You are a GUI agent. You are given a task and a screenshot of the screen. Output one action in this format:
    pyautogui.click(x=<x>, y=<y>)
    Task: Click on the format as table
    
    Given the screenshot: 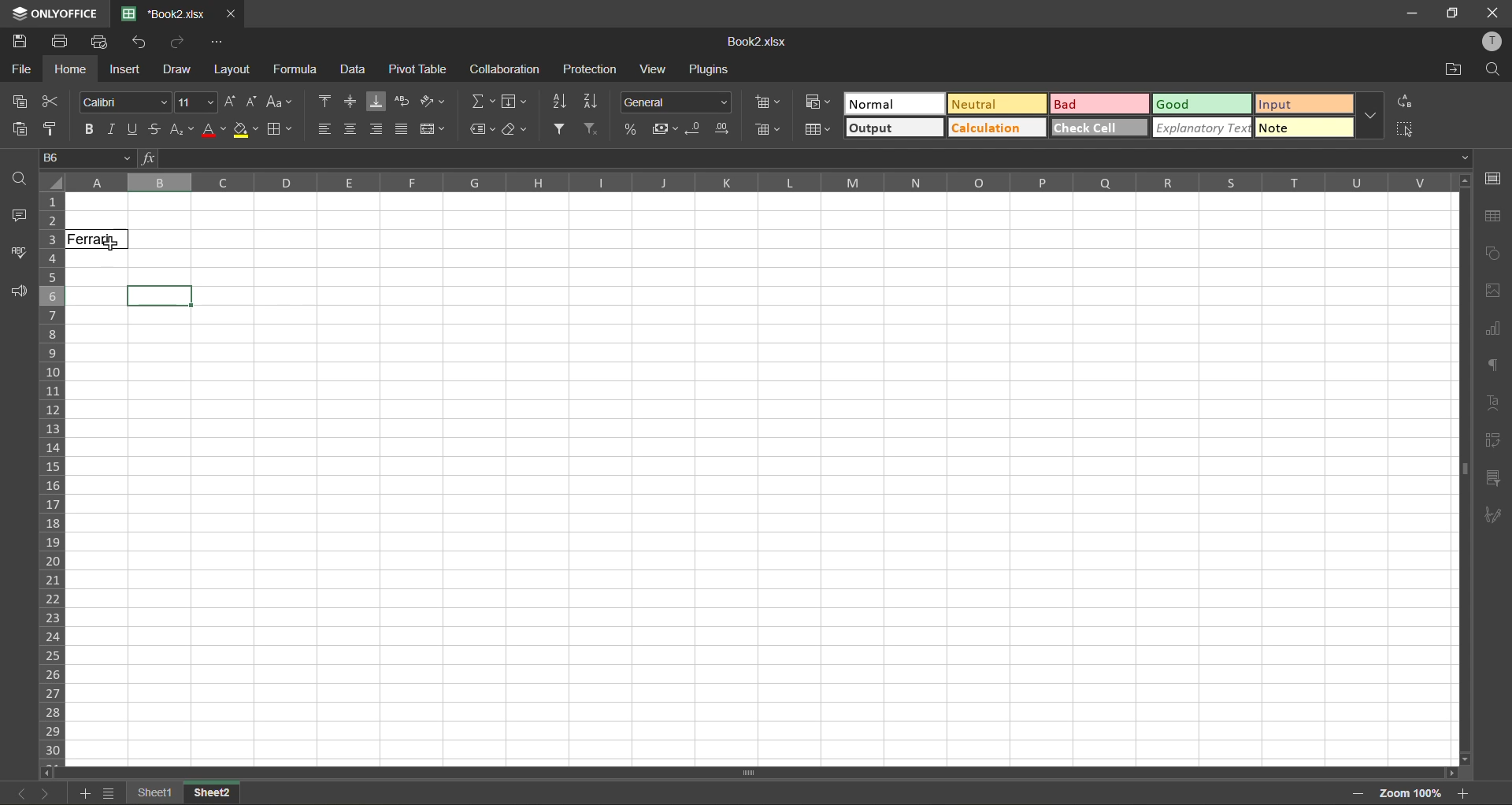 What is the action you would take?
    pyautogui.click(x=817, y=131)
    